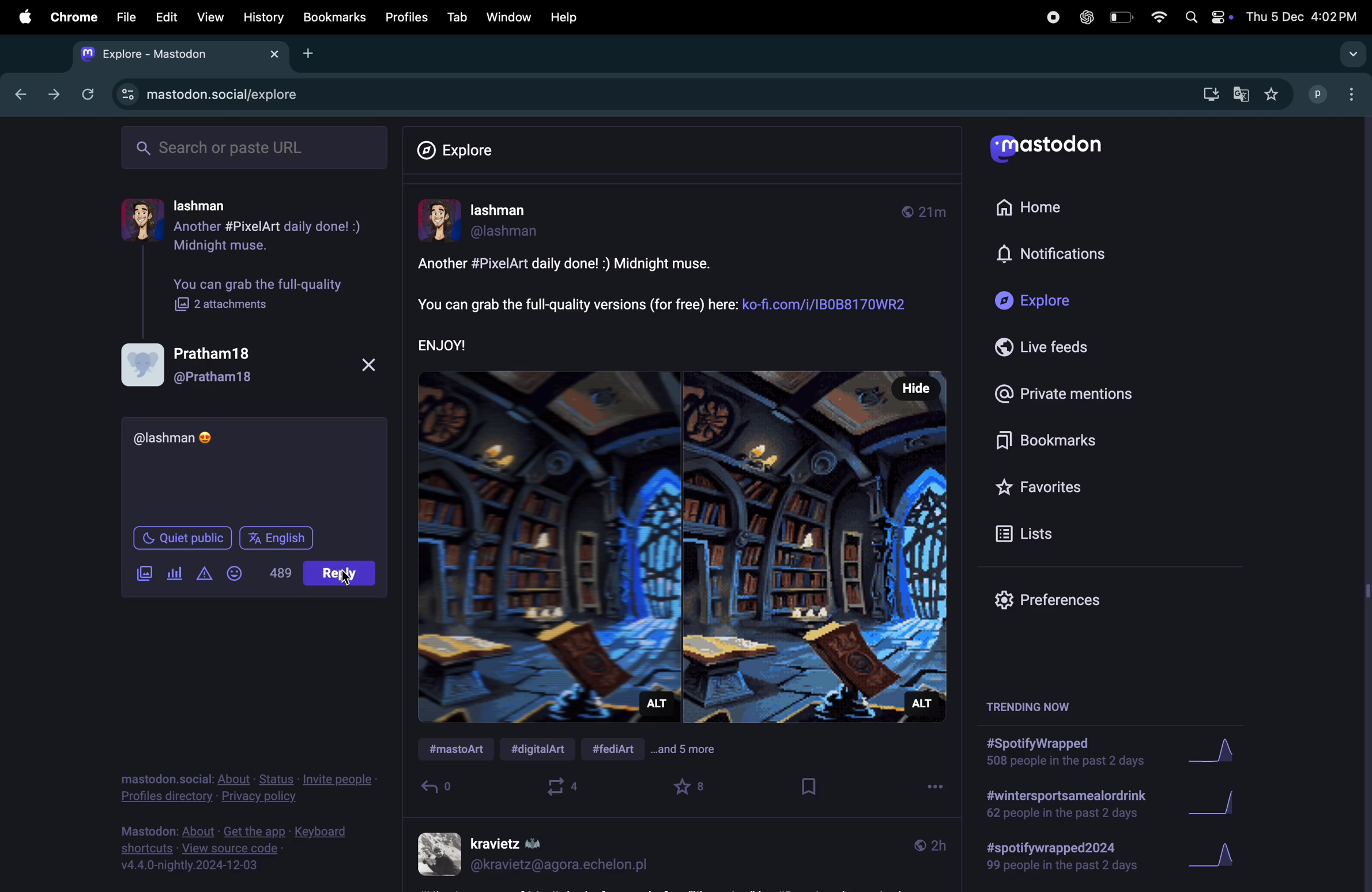 This screenshot has width=1372, height=892. Describe the element at coordinates (166, 20) in the screenshot. I see `Edit` at that location.